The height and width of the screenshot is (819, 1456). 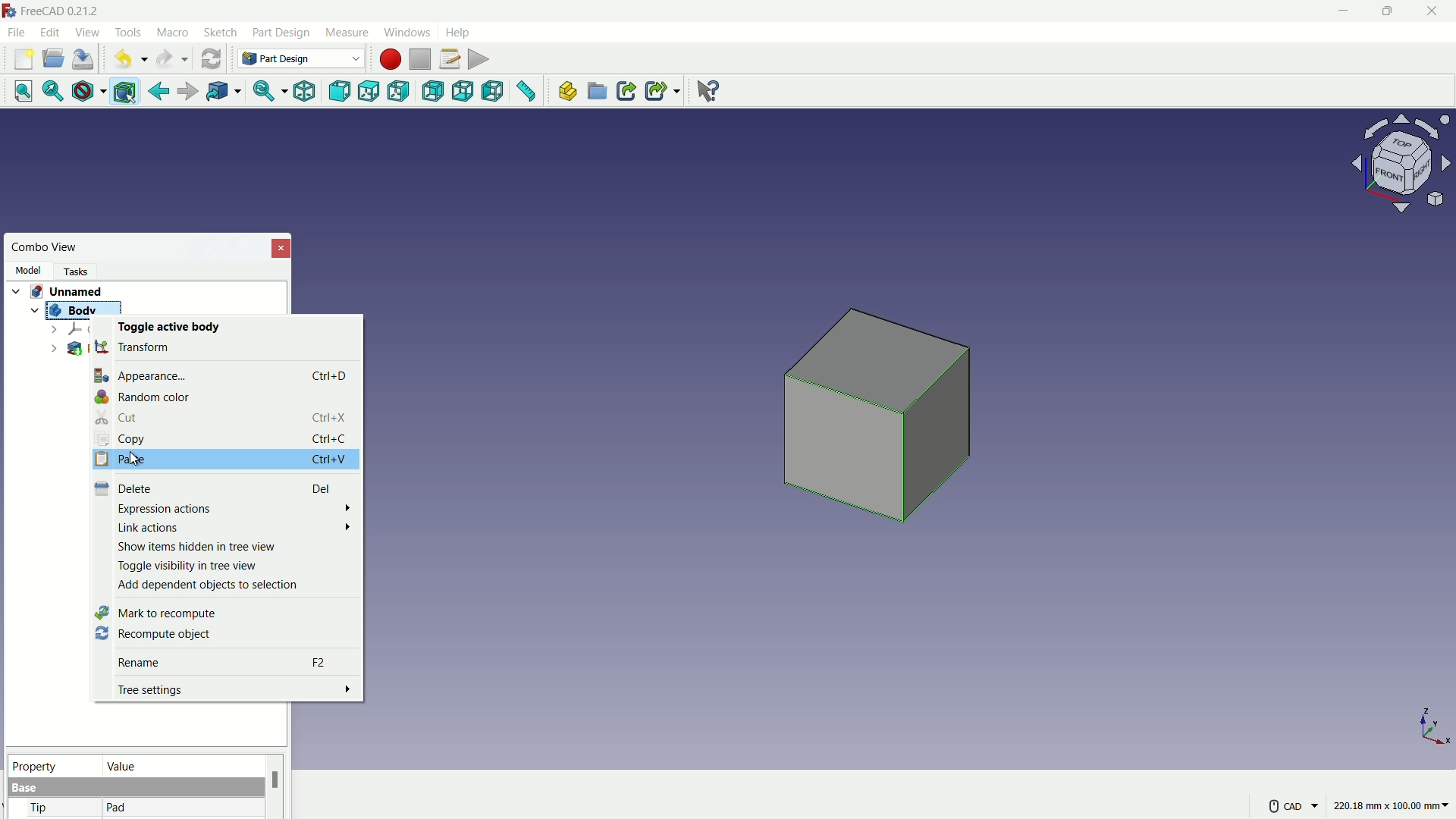 What do you see at coordinates (341, 92) in the screenshot?
I see `front view` at bounding box center [341, 92].